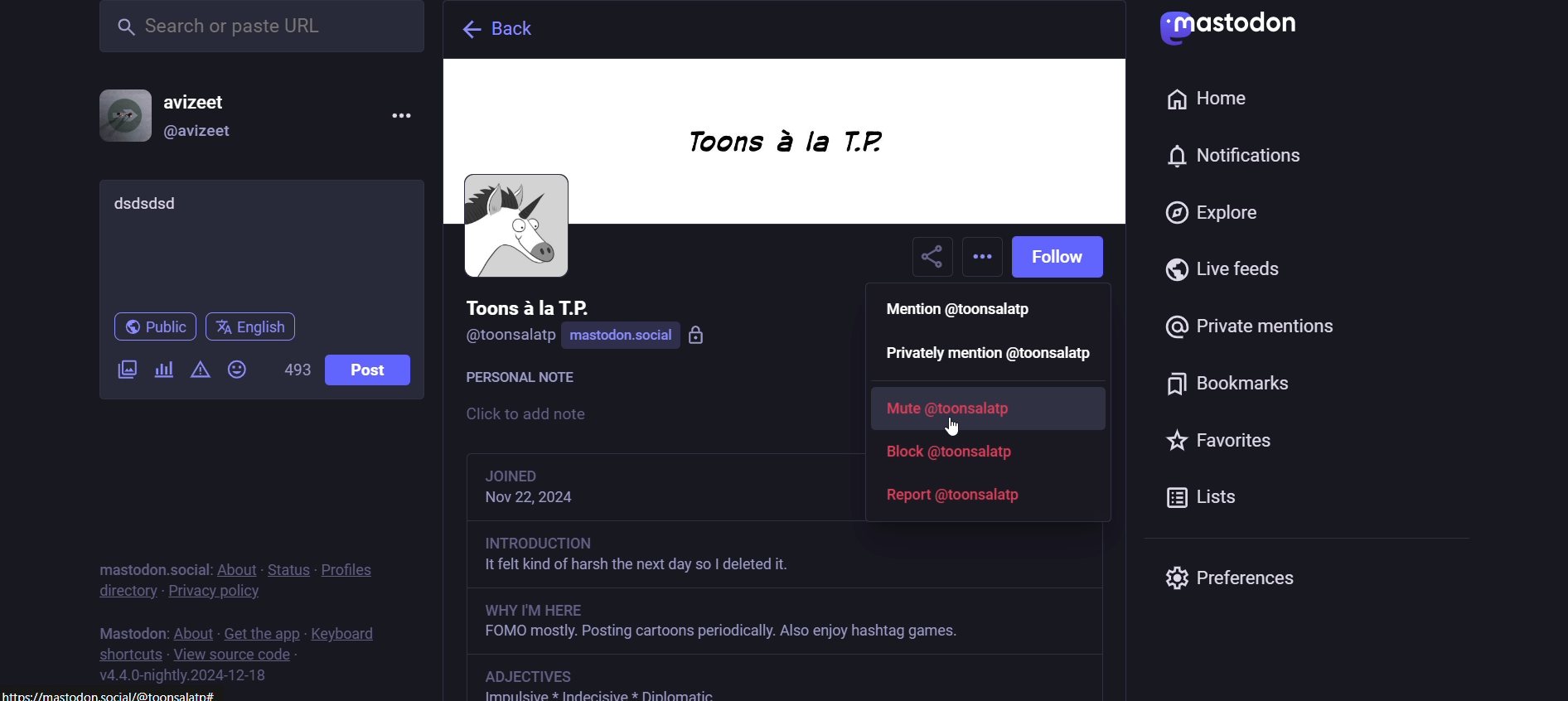 The width and height of the screenshot is (1568, 701). What do you see at coordinates (240, 369) in the screenshot?
I see `add emoji` at bounding box center [240, 369].